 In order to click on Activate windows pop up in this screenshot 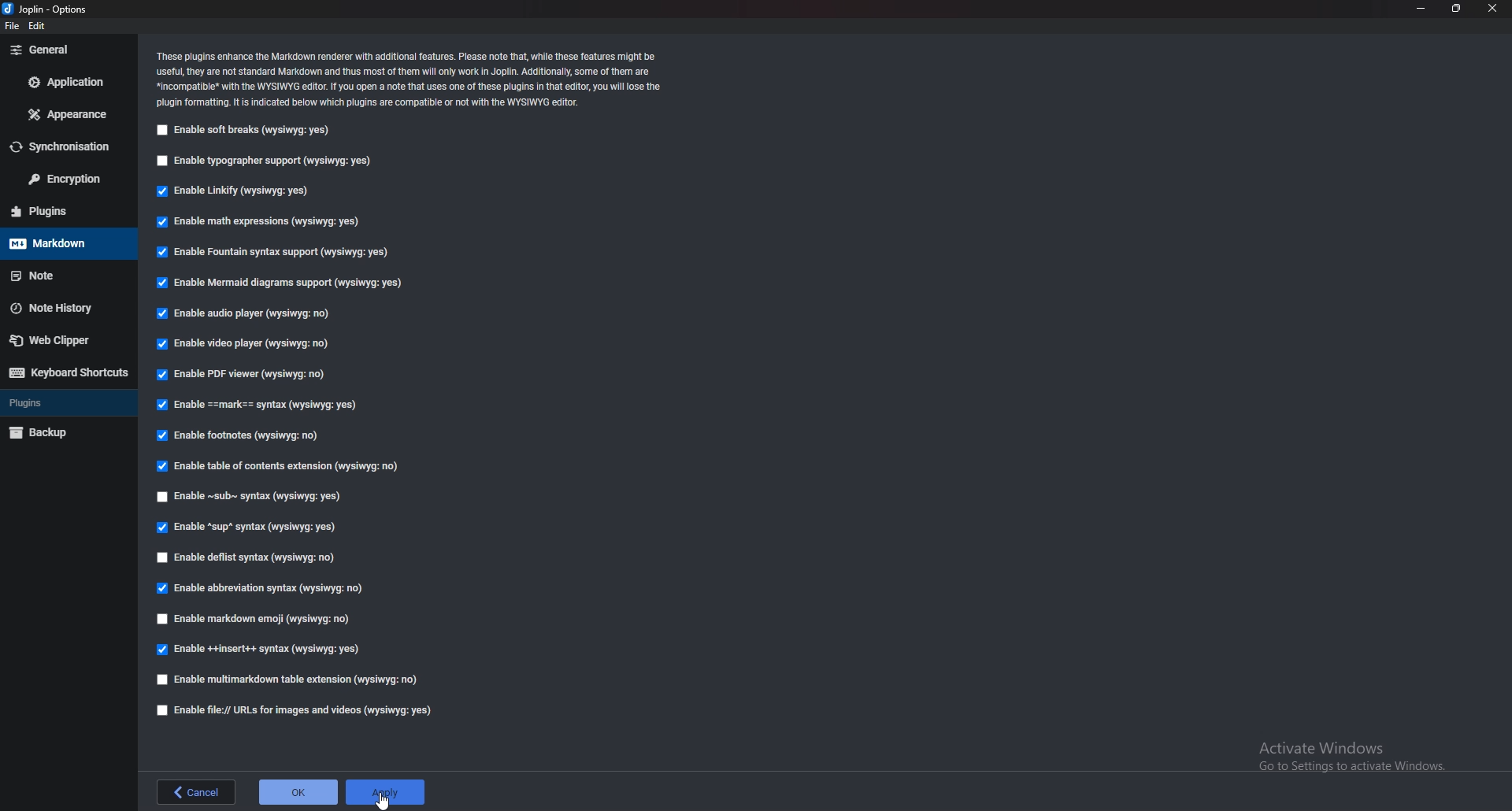, I will do `click(1362, 761)`.